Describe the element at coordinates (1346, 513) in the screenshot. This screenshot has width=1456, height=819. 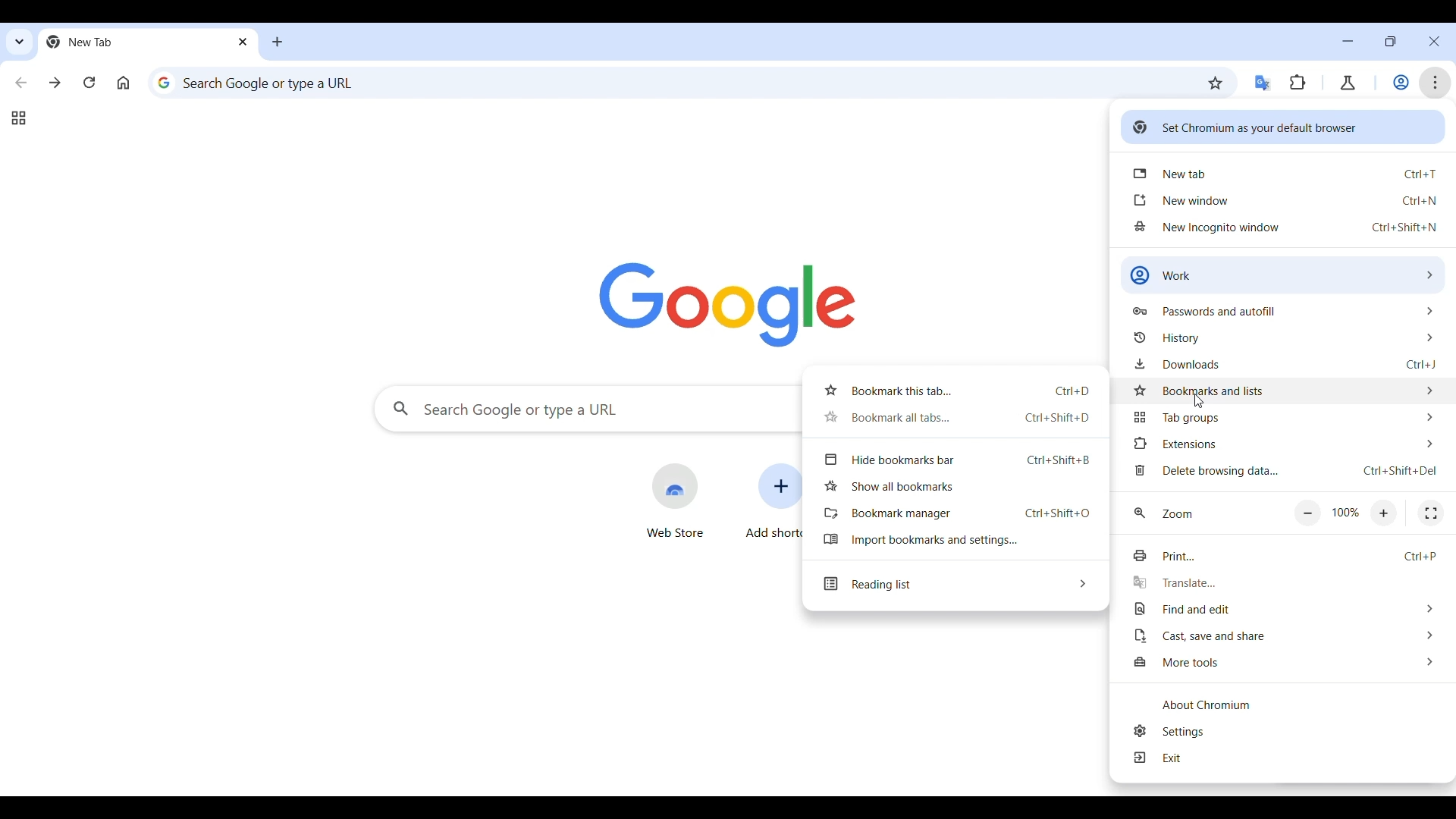
I see `100%` at that location.